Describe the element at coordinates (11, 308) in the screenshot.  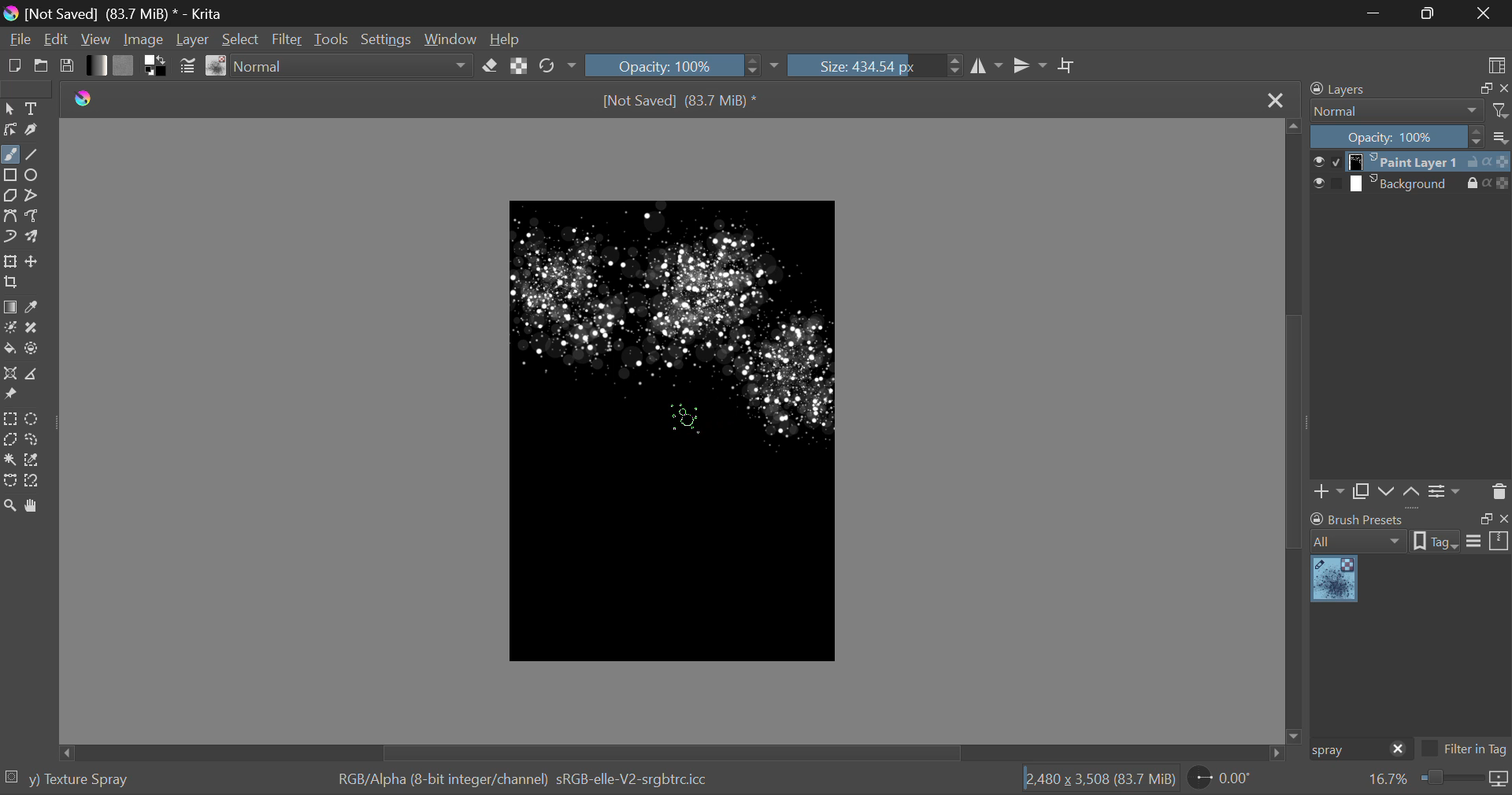
I see `Gradient Fill` at that location.